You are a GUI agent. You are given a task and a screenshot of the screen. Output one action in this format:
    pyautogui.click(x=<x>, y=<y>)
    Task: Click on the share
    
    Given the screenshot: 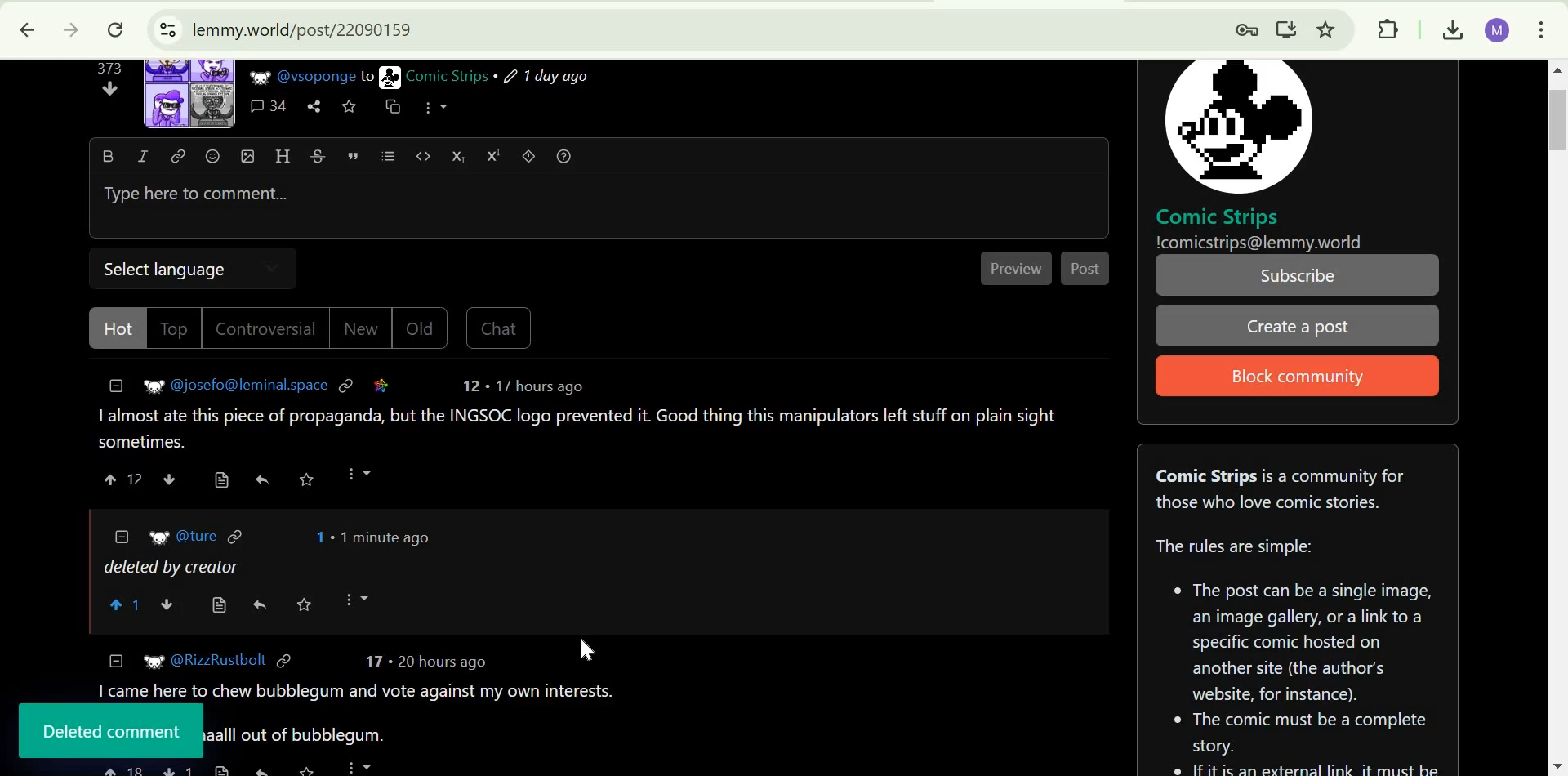 What is the action you would take?
    pyautogui.click(x=261, y=767)
    